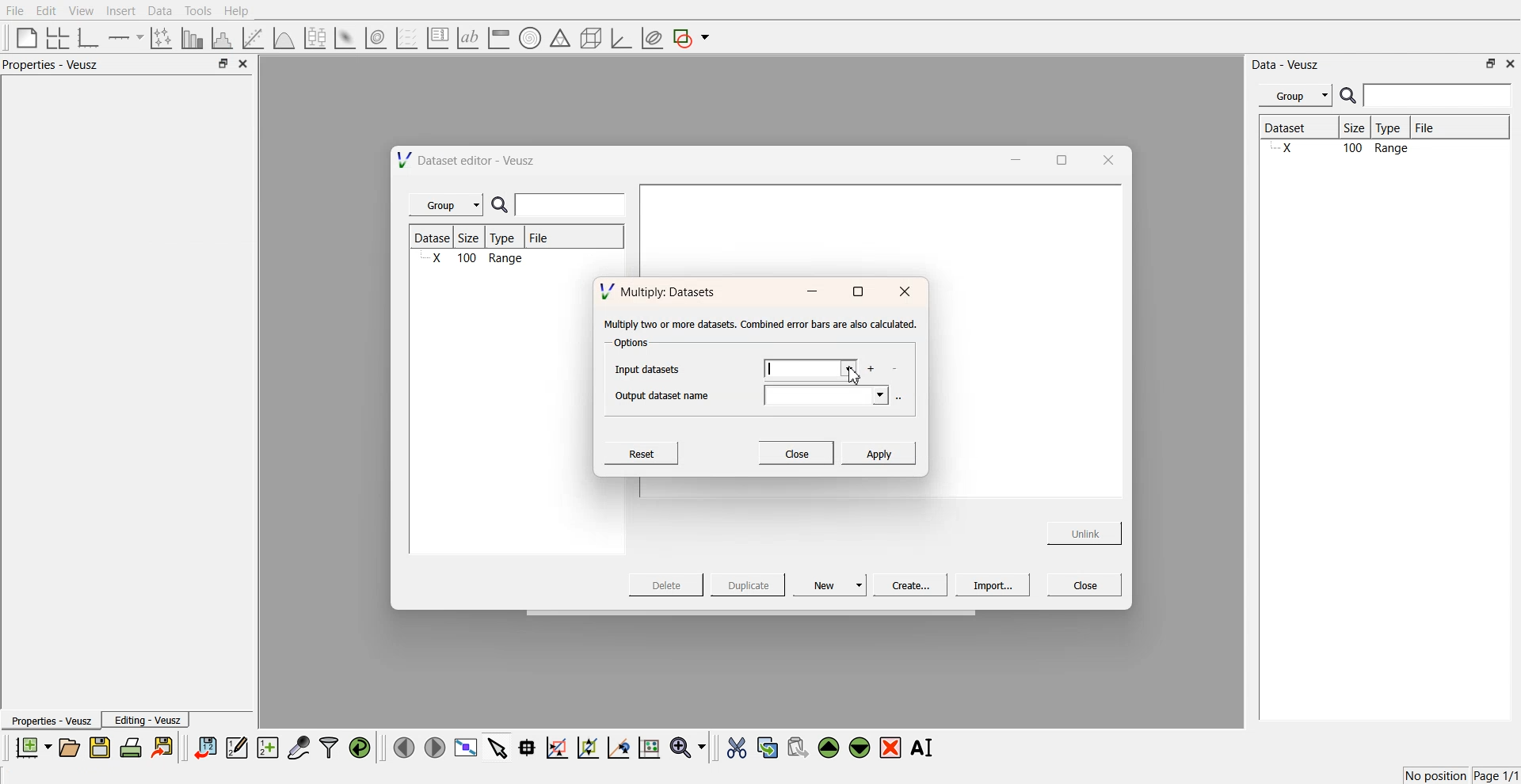  What do you see at coordinates (810, 368) in the screenshot?
I see `imput datsets field` at bounding box center [810, 368].